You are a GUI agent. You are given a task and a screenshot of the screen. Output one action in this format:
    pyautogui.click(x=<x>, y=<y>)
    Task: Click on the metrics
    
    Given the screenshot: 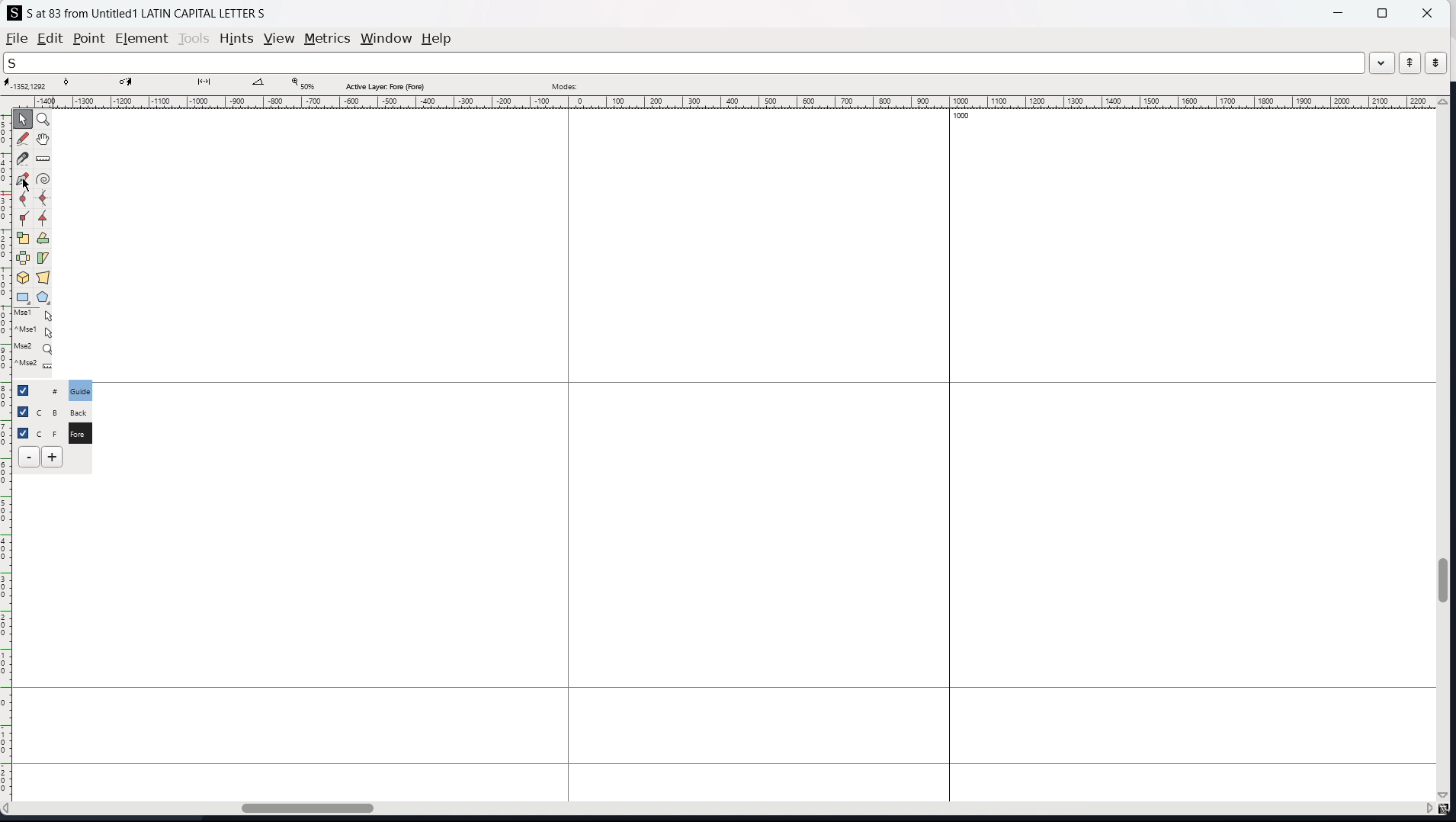 What is the action you would take?
    pyautogui.click(x=327, y=38)
    